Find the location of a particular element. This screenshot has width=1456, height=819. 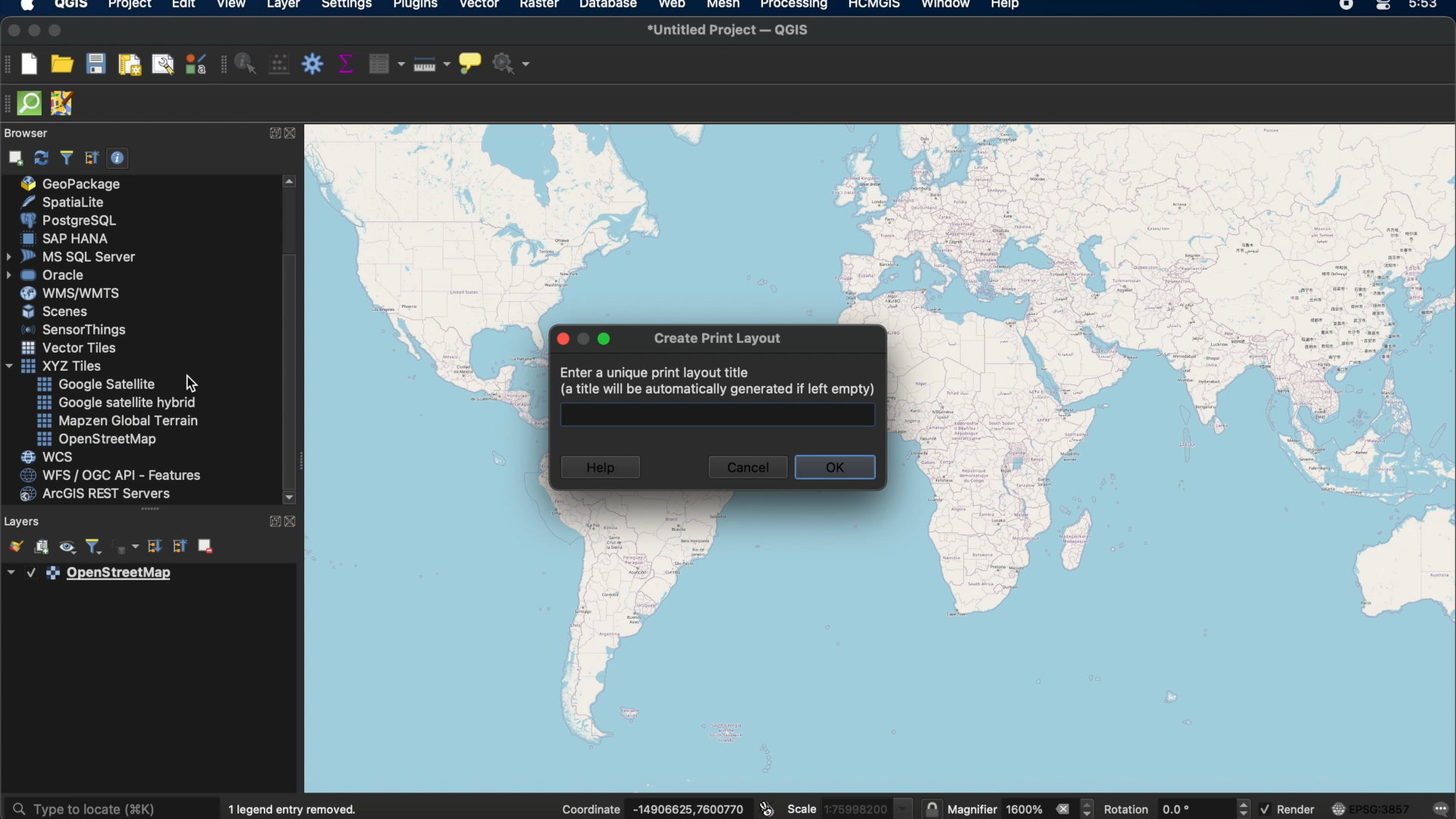

filter legend is located at coordinates (93, 548).